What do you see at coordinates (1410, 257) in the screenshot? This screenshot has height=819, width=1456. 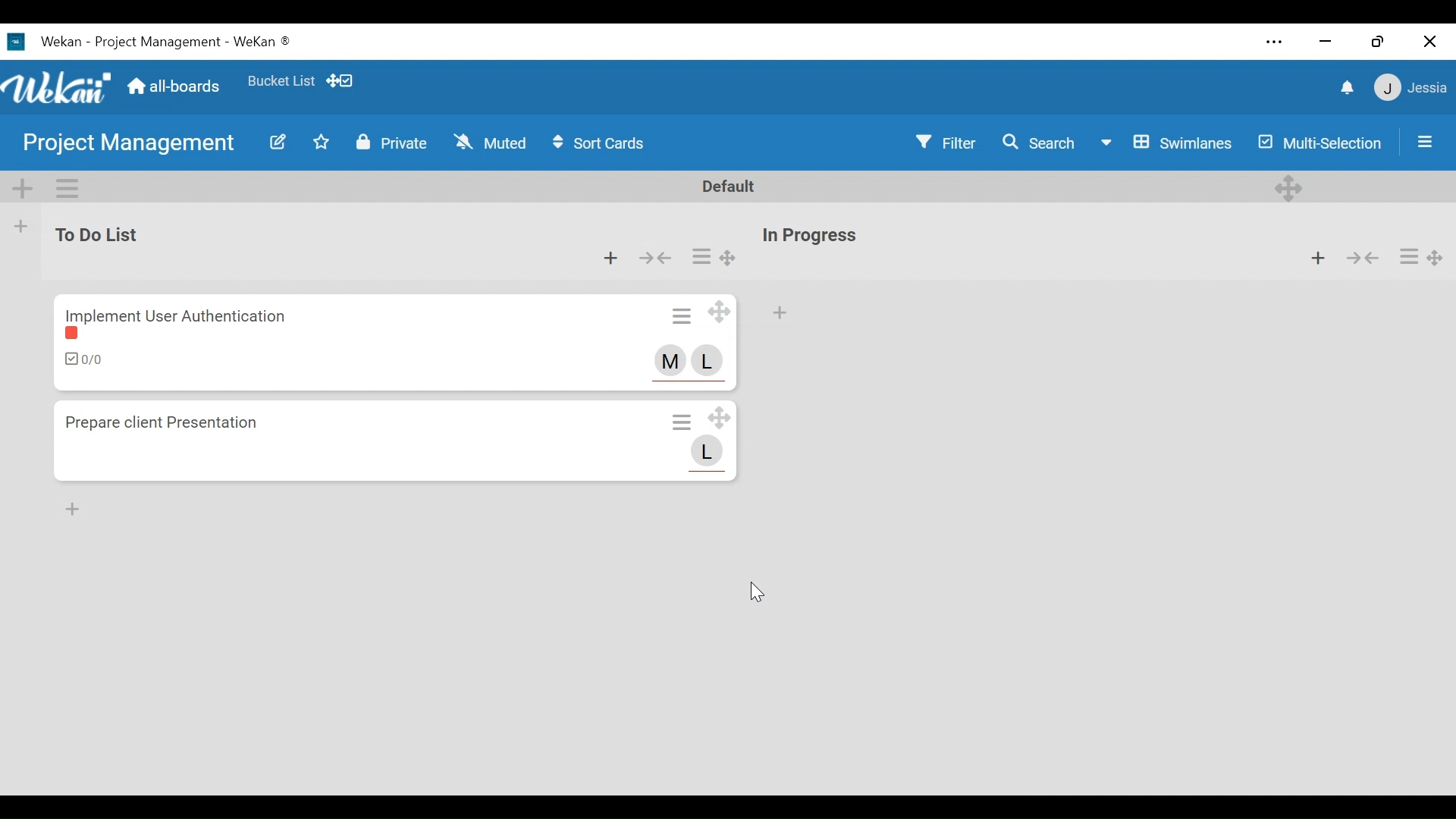 I see `card actions` at bounding box center [1410, 257].